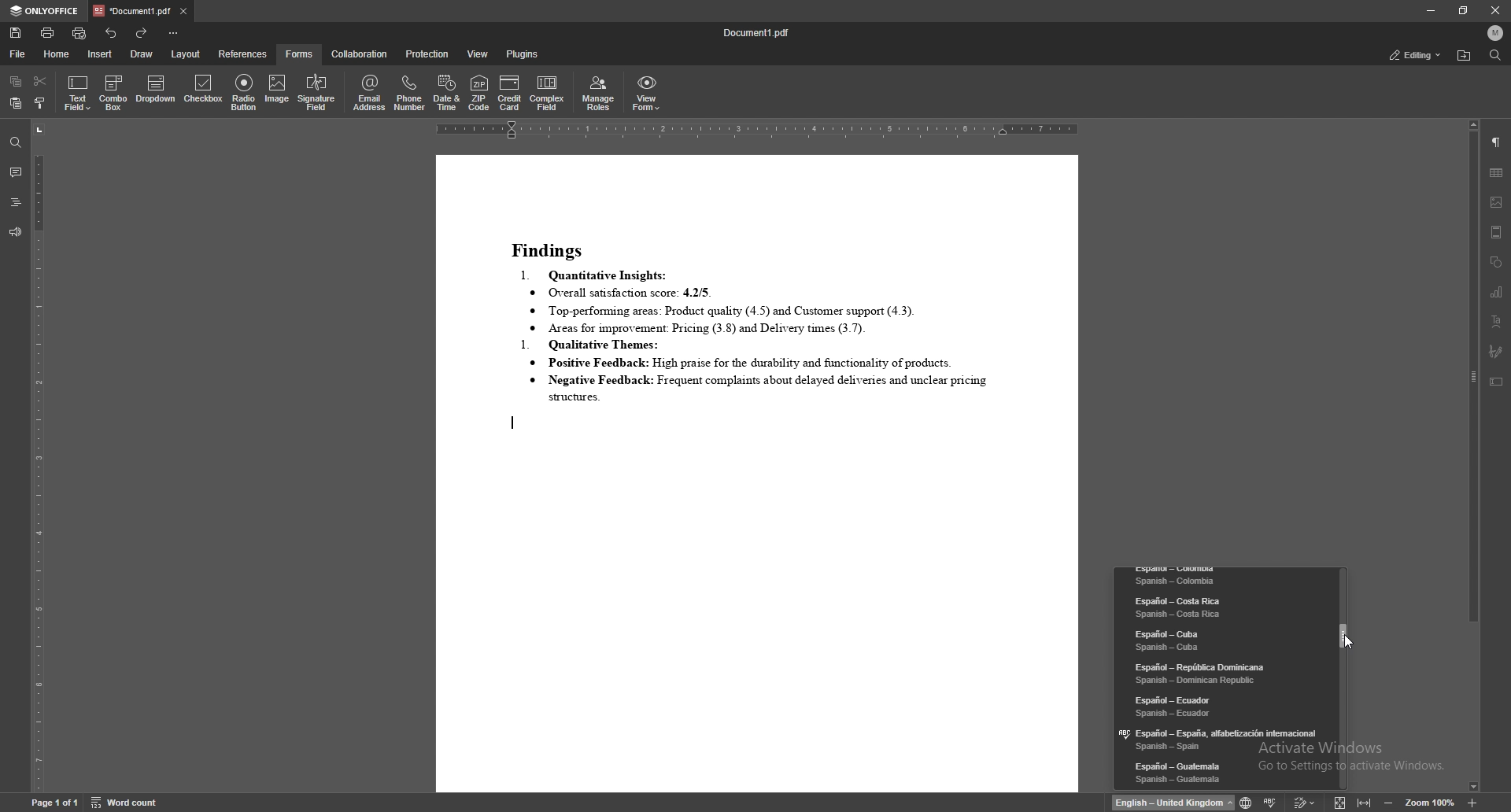  I want to click on language, so click(1217, 607).